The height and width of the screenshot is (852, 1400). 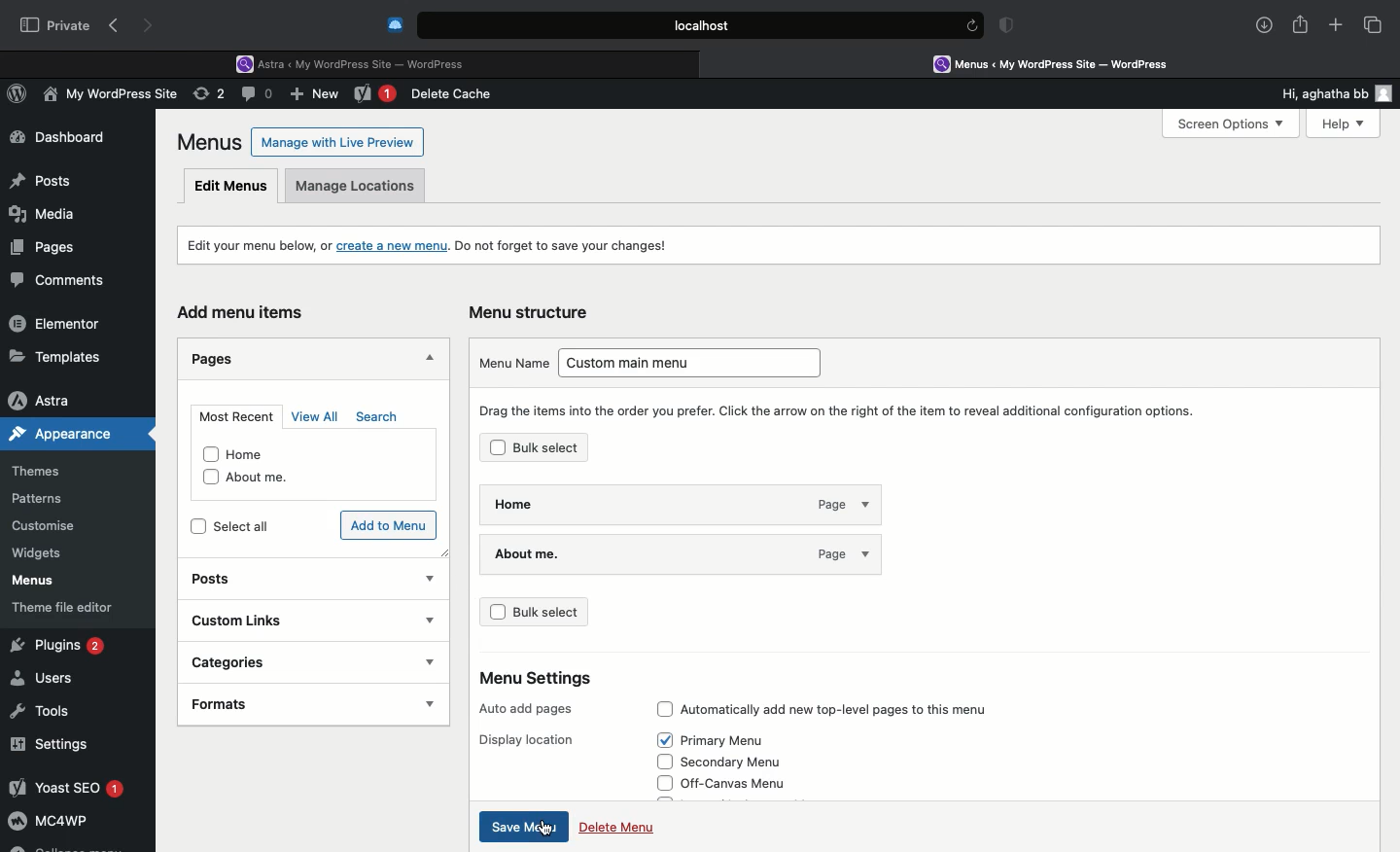 What do you see at coordinates (533, 312) in the screenshot?
I see `Menu structure` at bounding box center [533, 312].